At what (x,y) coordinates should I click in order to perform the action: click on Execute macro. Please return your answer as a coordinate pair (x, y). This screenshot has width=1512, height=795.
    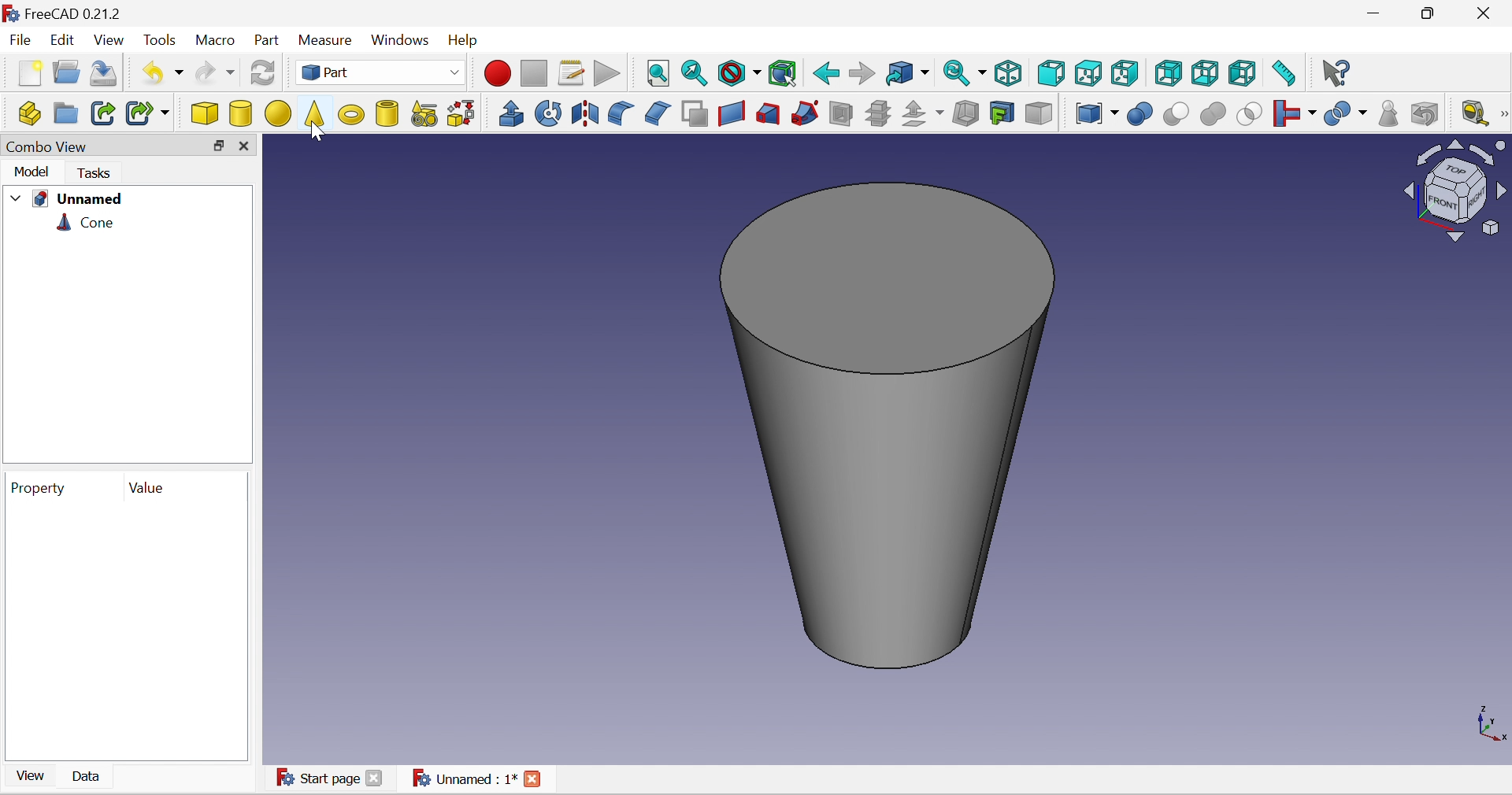
    Looking at the image, I should click on (609, 75).